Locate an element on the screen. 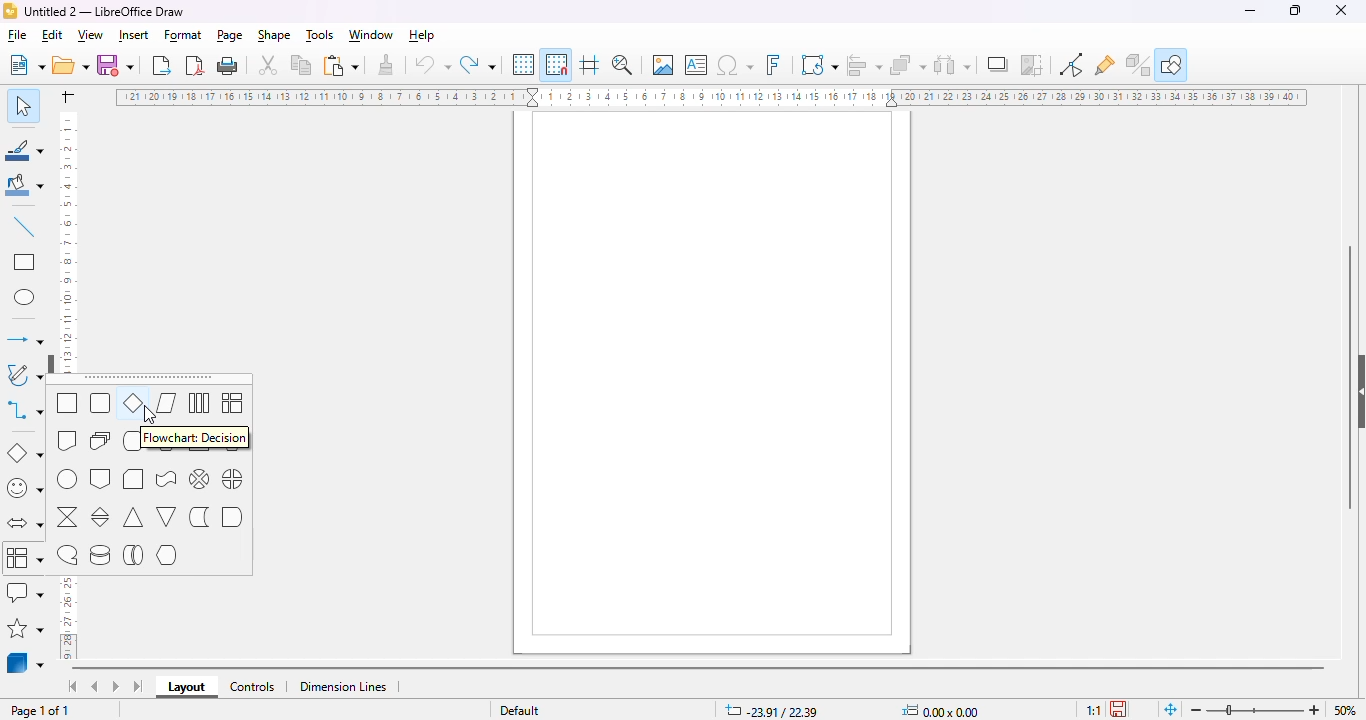  zoom factor is located at coordinates (1346, 709).